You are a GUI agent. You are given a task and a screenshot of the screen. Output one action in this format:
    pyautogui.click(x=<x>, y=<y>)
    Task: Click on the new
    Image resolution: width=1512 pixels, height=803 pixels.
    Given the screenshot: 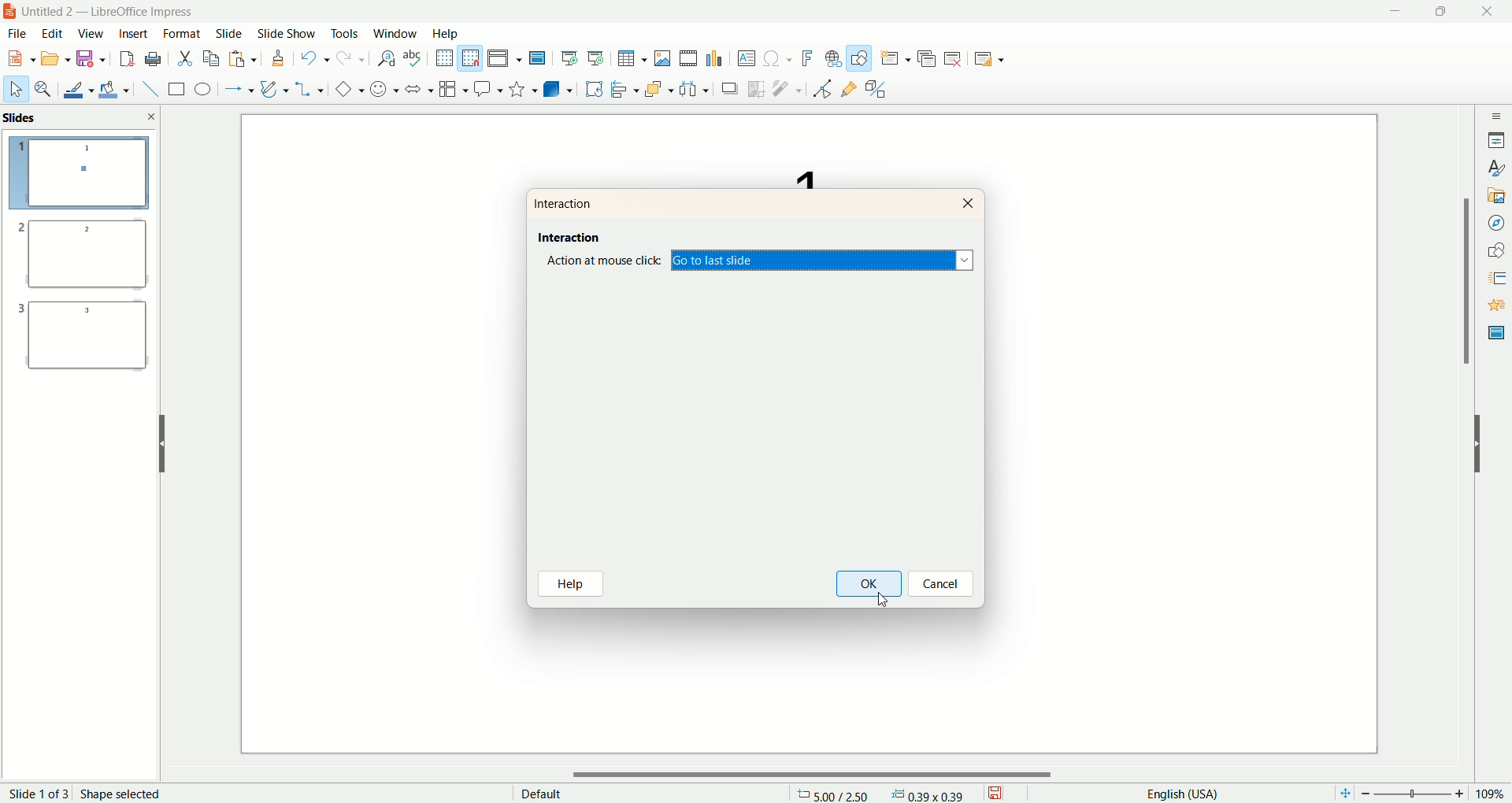 What is the action you would take?
    pyautogui.click(x=21, y=57)
    